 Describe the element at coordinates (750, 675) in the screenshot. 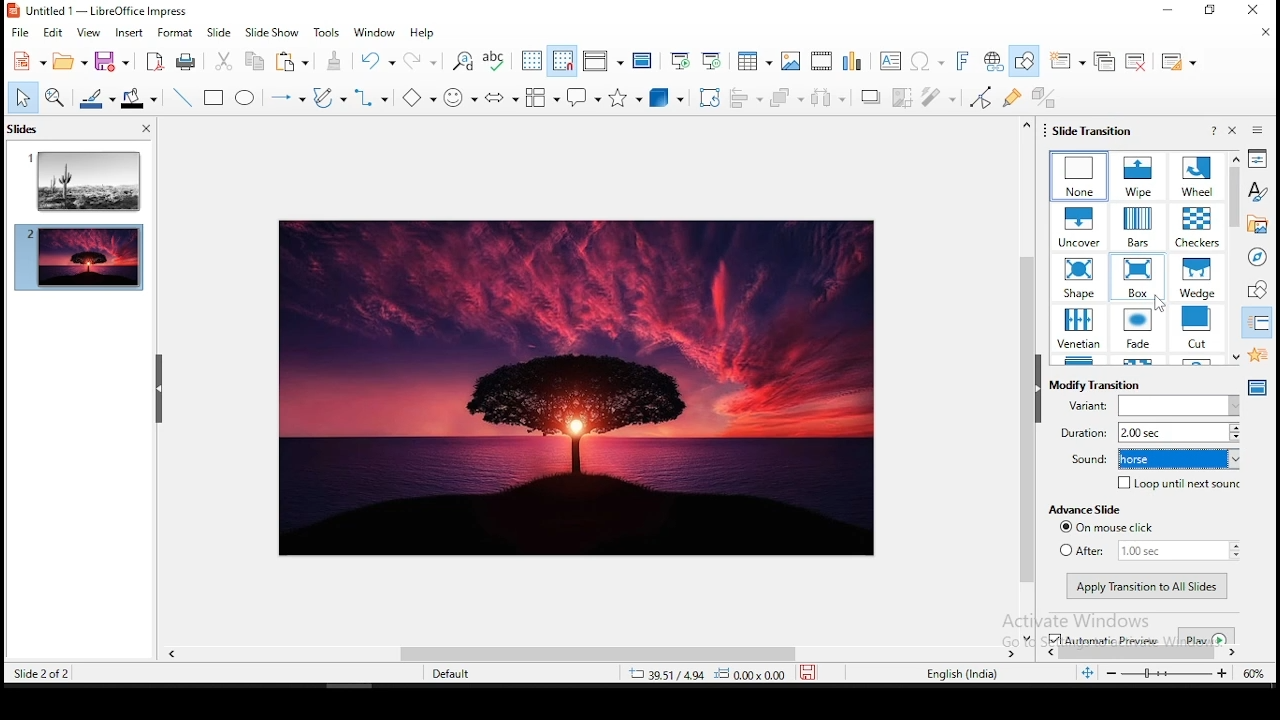

I see `0.00x0.00` at that location.